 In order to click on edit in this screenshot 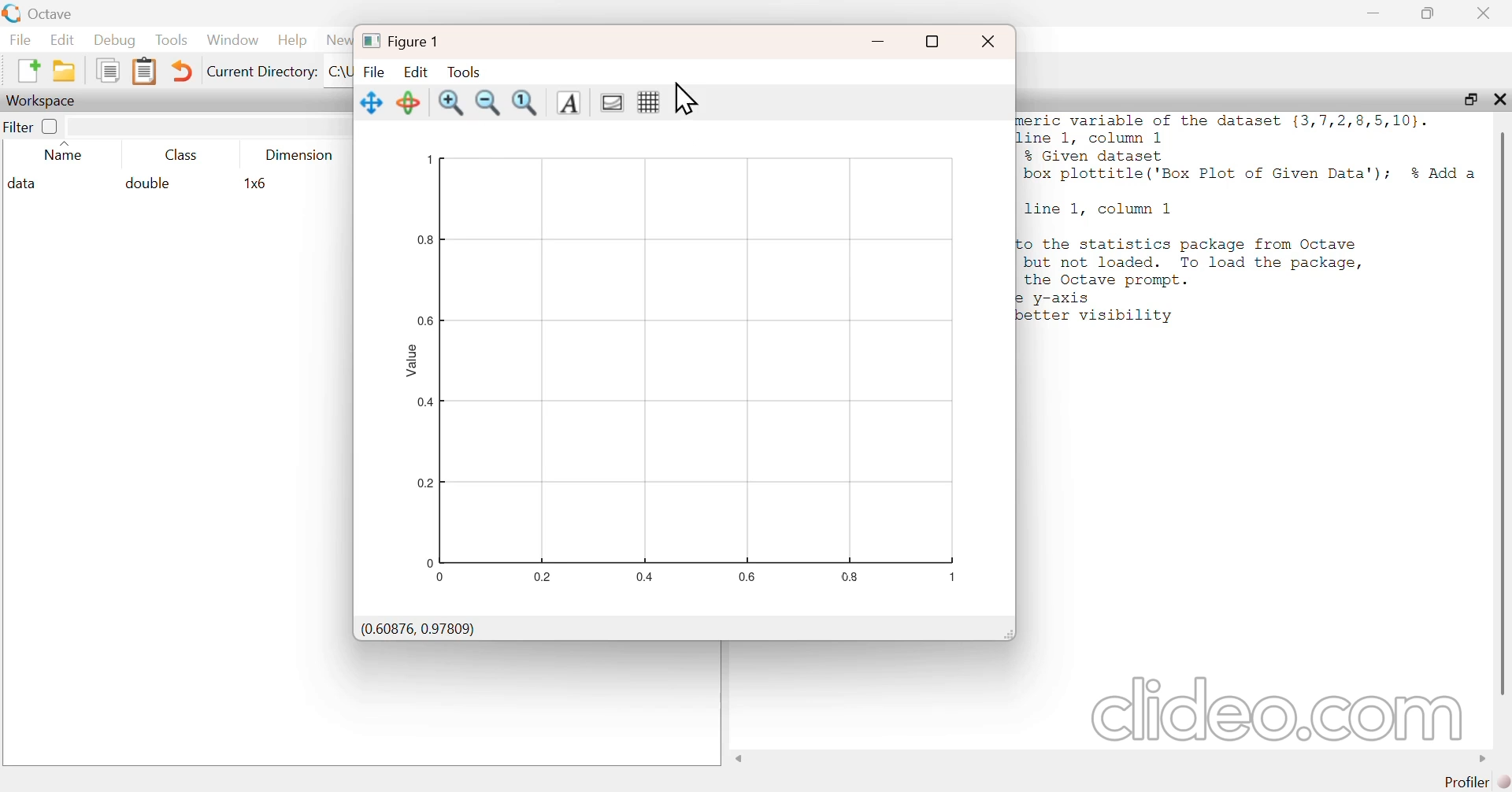, I will do `click(66, 39)`.